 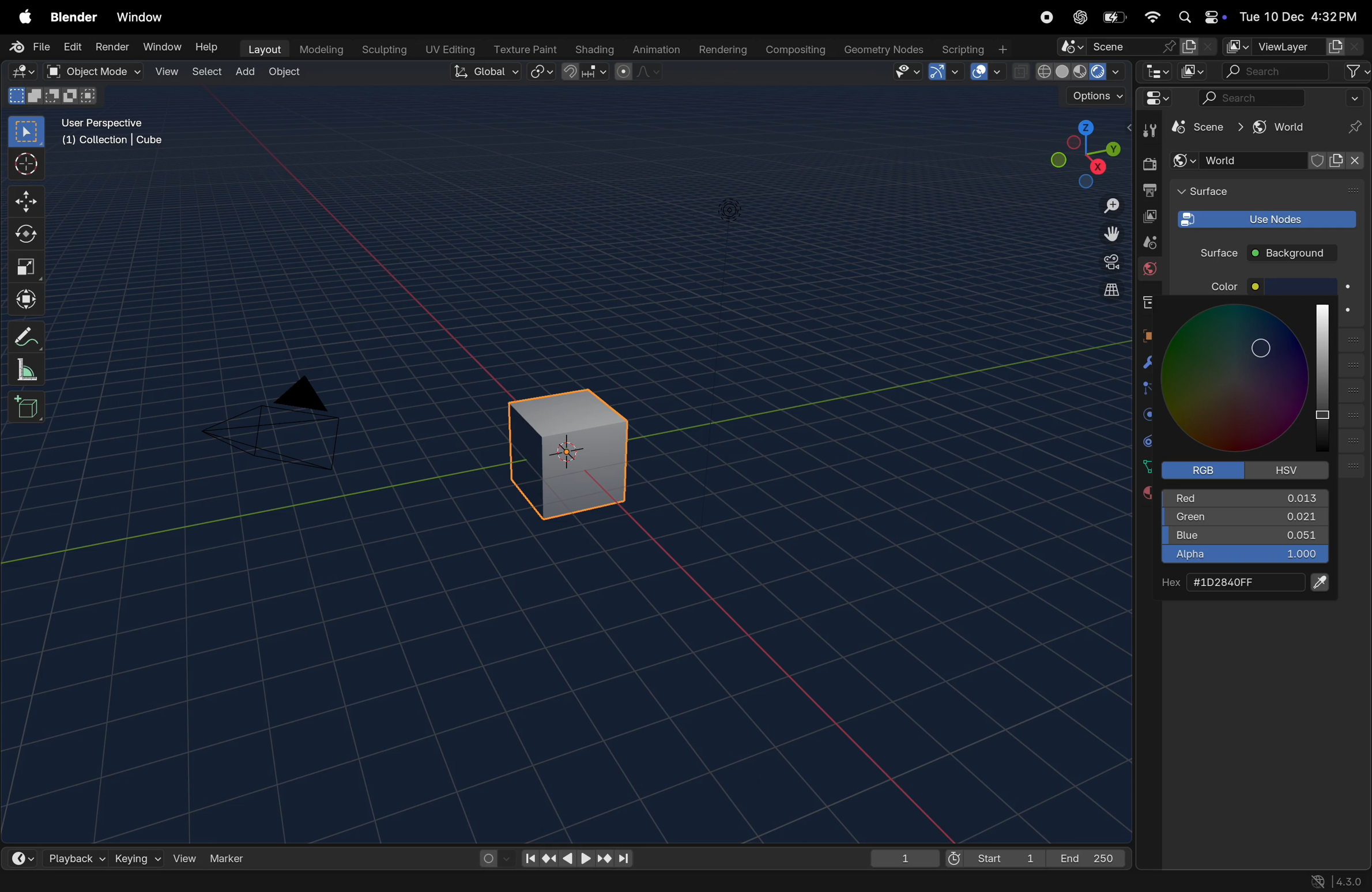 What do you see at coordinates (112, 48) in the screenshot?
I see `render` at bounding box center [112, 48].